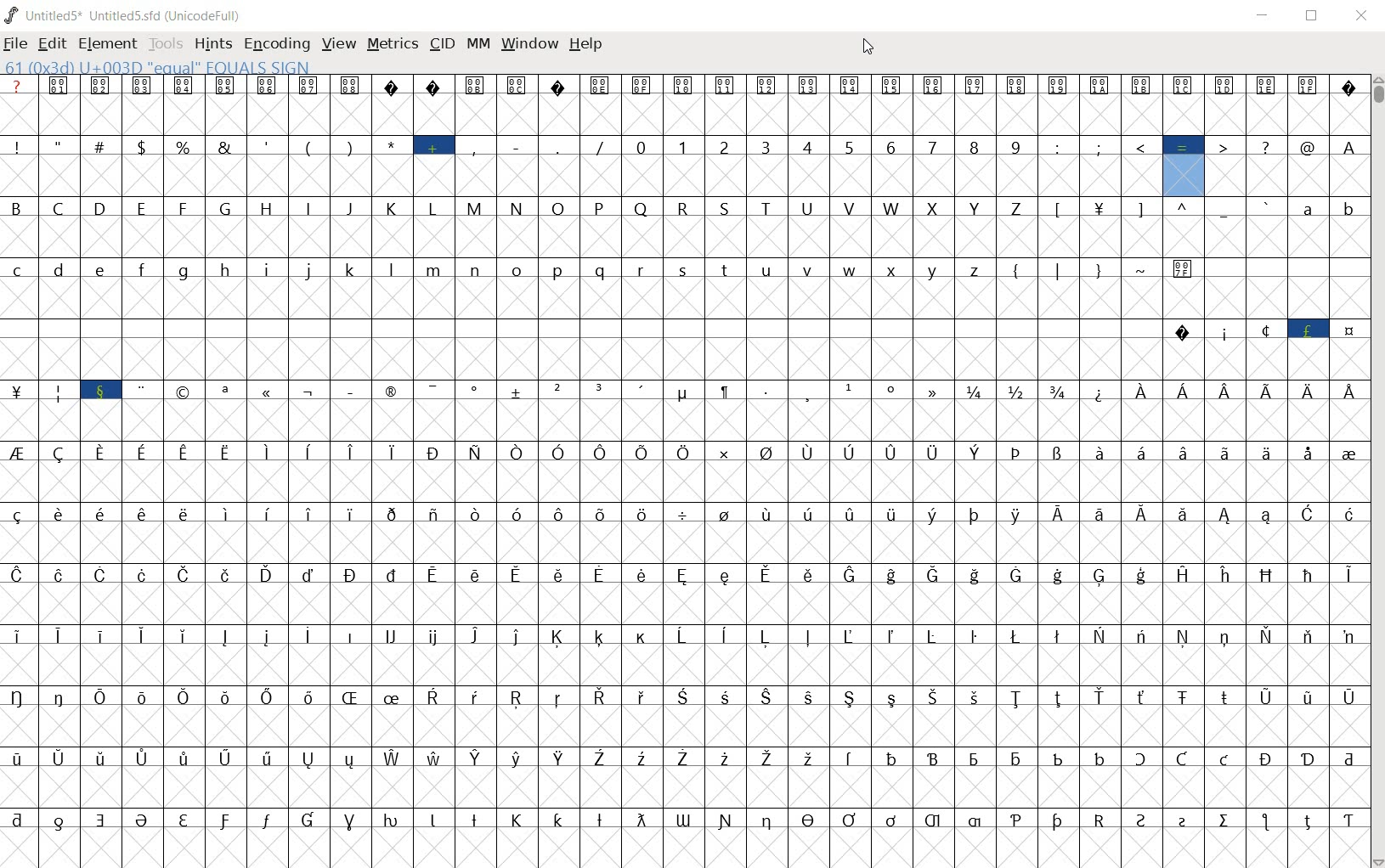 This screenshot has height=868, width=1385. What do you see at coordinates (1314, 17) in the screenshot?
I see `restore down` at bounding box center [1314, 17].